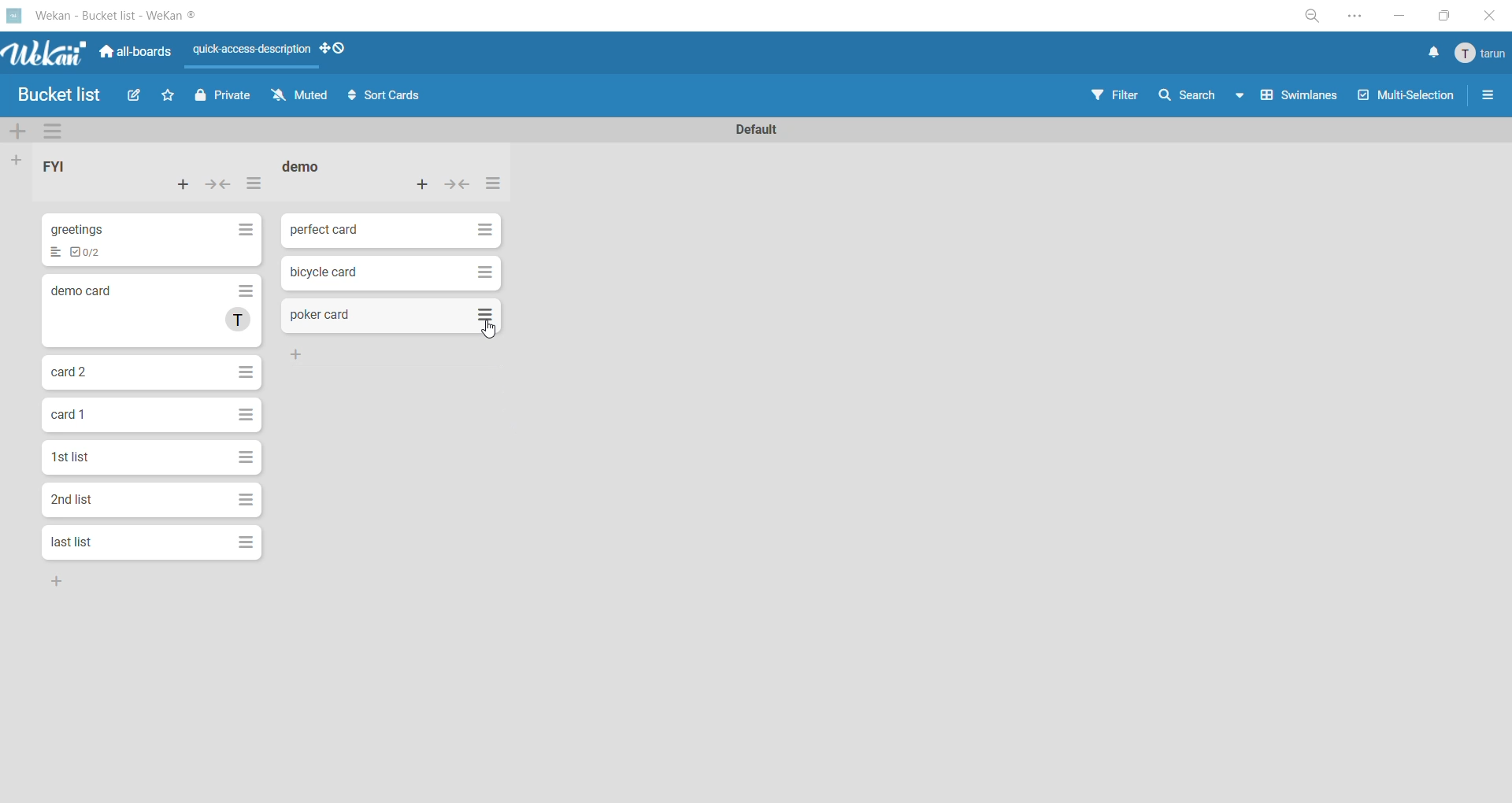 The image size is (1512, 803). What do you see at coordinates (221, 185) in the screenshot?
I see `collapse` at bounding box center [221, 185].